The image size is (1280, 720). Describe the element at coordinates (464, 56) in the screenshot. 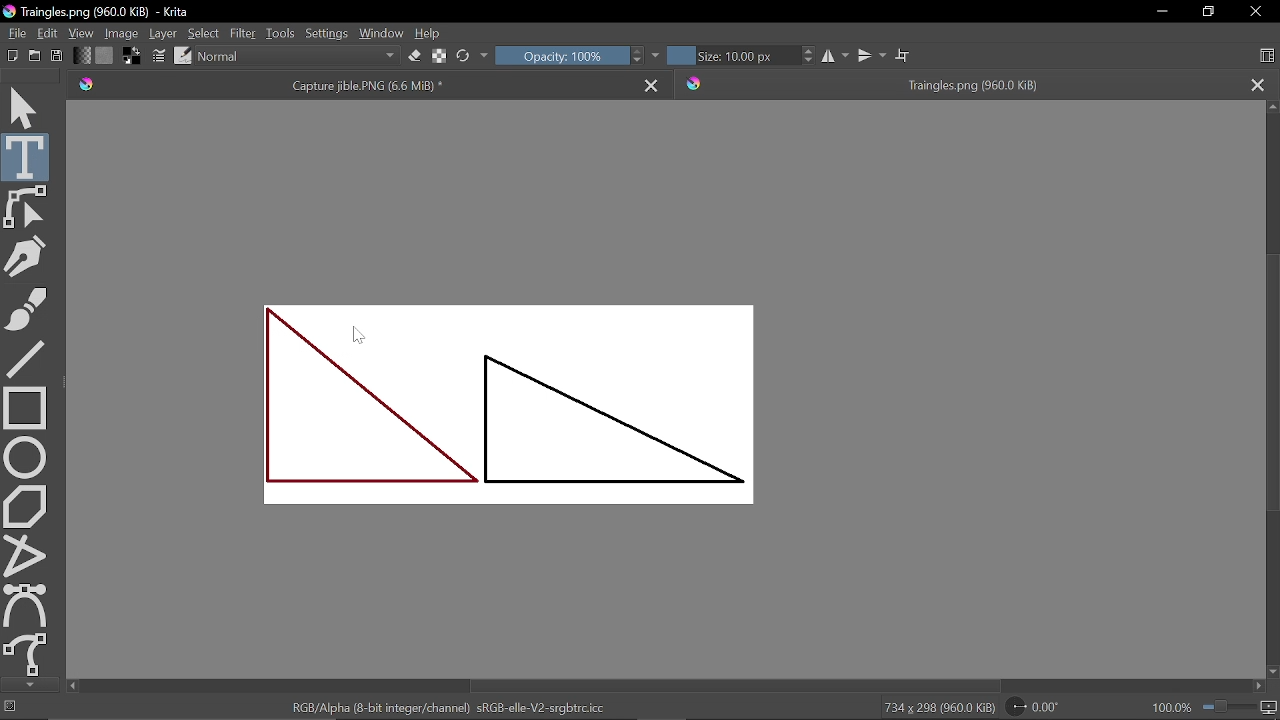

I see `Choose brush preset` at that location.